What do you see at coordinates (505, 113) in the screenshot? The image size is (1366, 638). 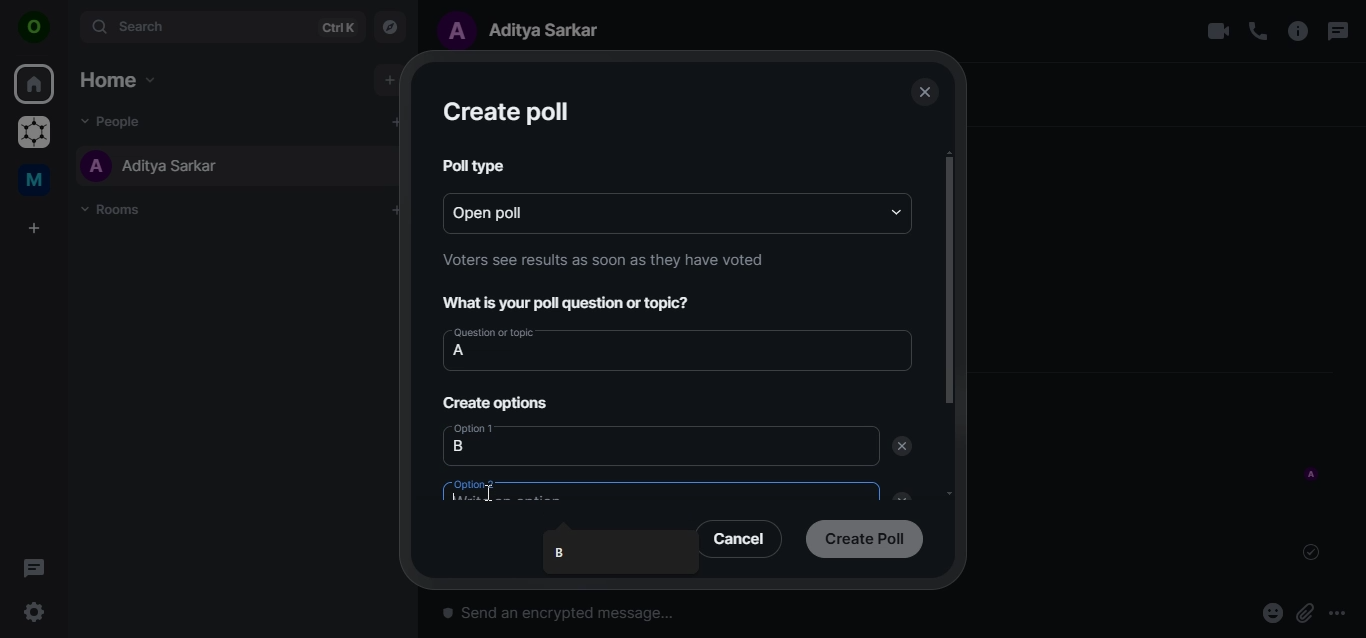 I see `create poll` at bounding box center [505, 113].